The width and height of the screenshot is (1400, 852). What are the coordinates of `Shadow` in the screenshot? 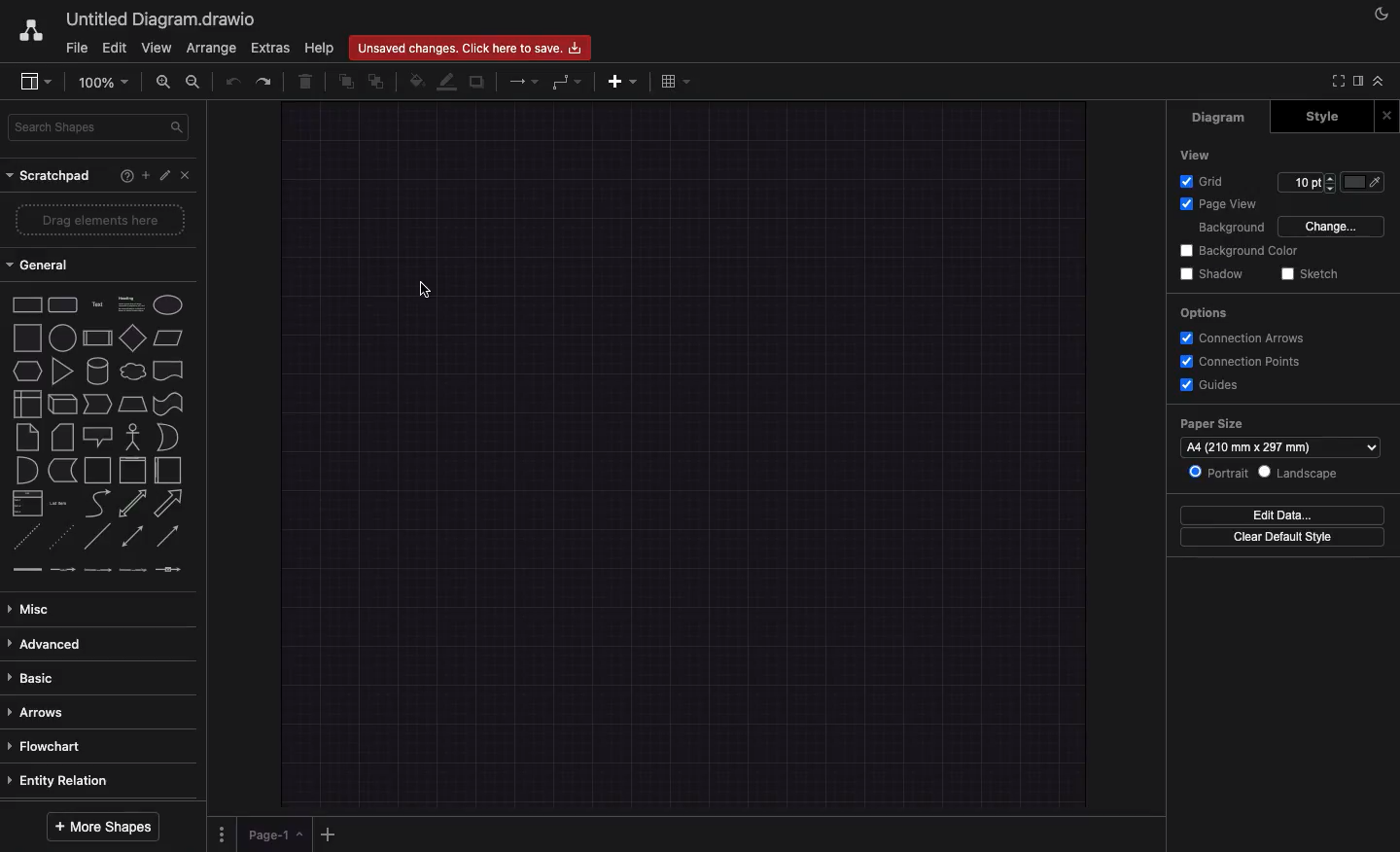 It's located at (1215, 274).